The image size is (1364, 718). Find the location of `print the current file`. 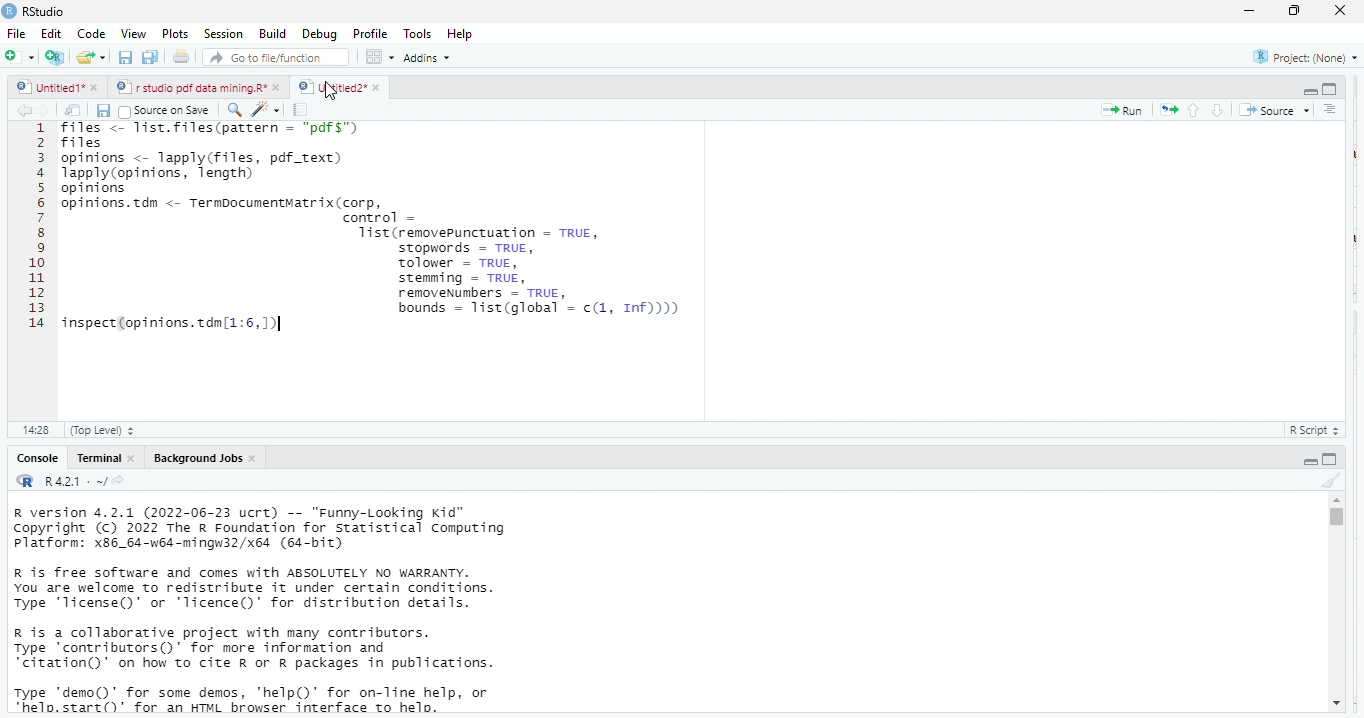

print the current file is located at coordinates (182, 58).